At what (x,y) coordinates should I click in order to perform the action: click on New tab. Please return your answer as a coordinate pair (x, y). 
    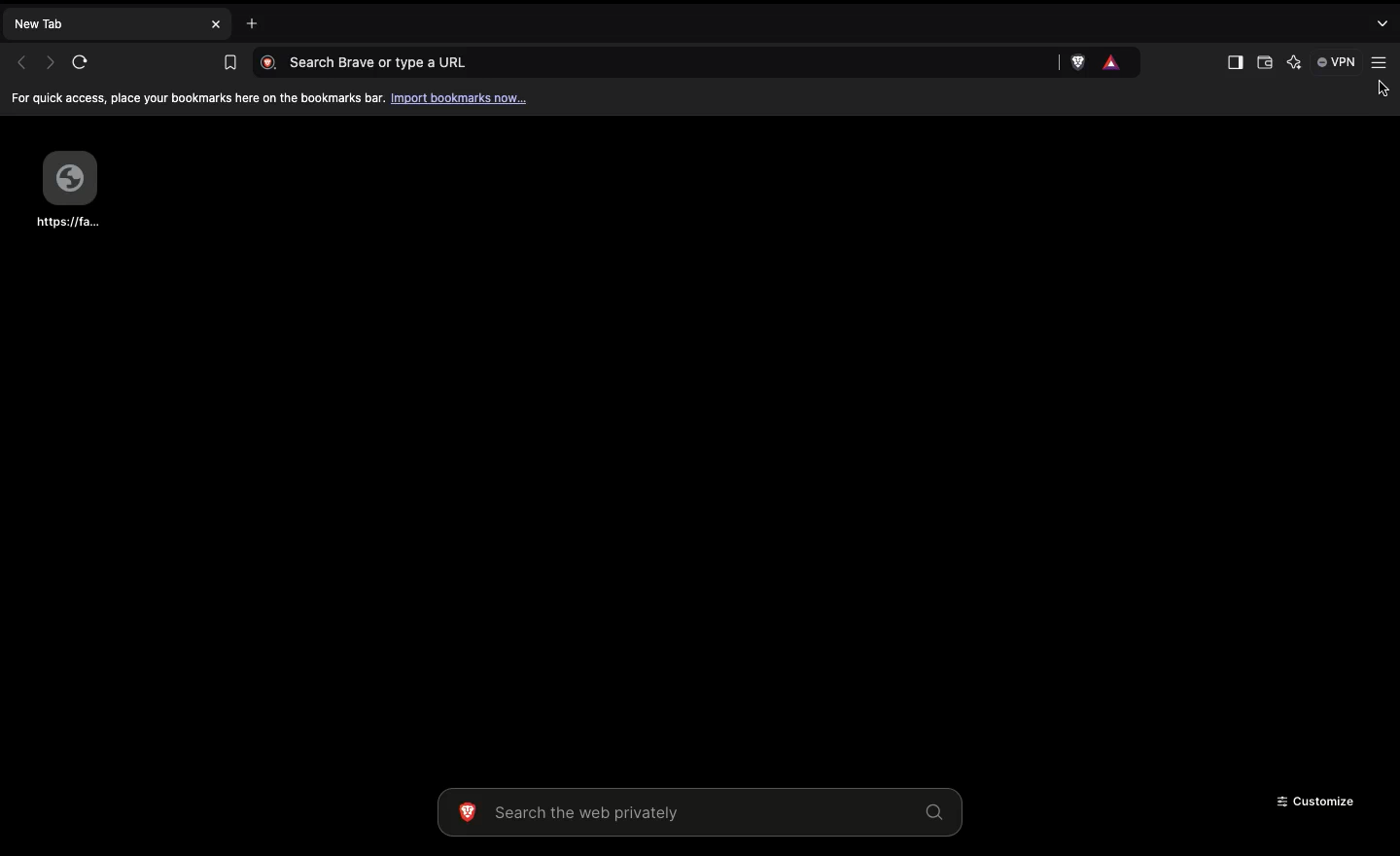
    Looking at the image, I should click on (116, 26).